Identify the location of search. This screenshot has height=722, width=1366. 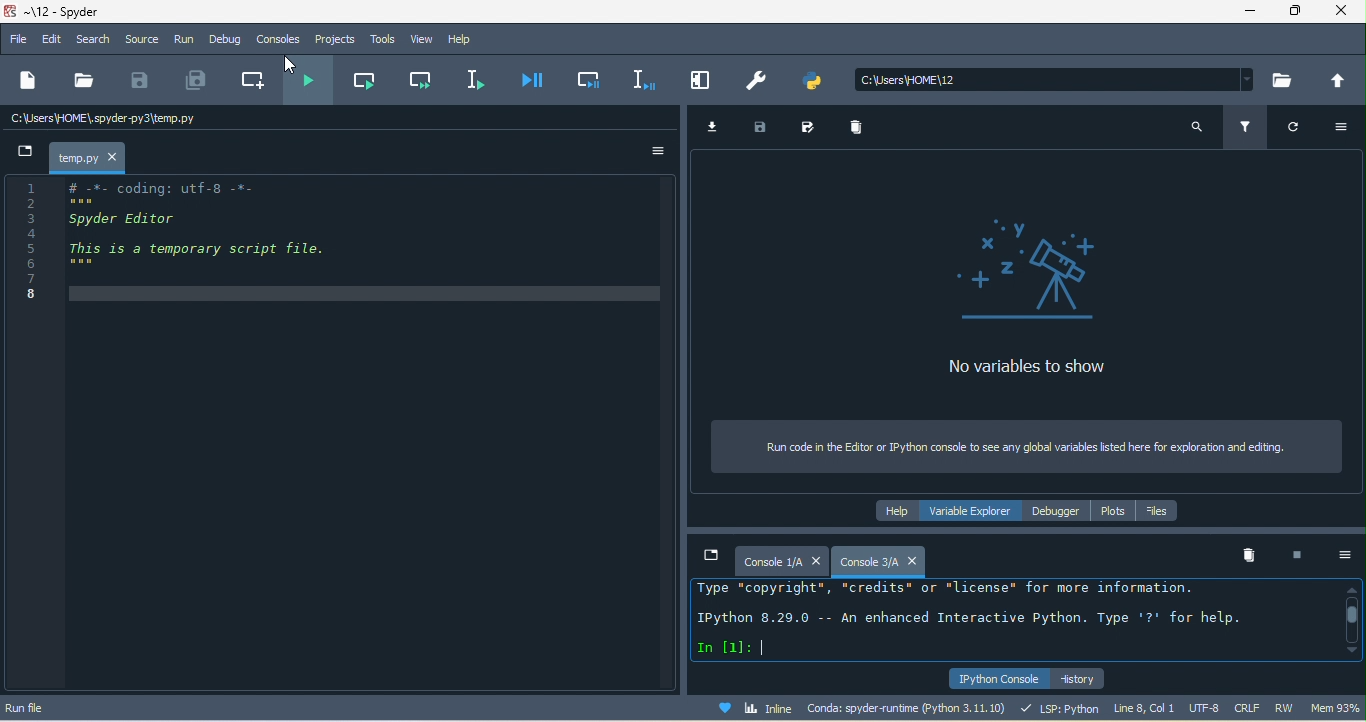
(93, 38).